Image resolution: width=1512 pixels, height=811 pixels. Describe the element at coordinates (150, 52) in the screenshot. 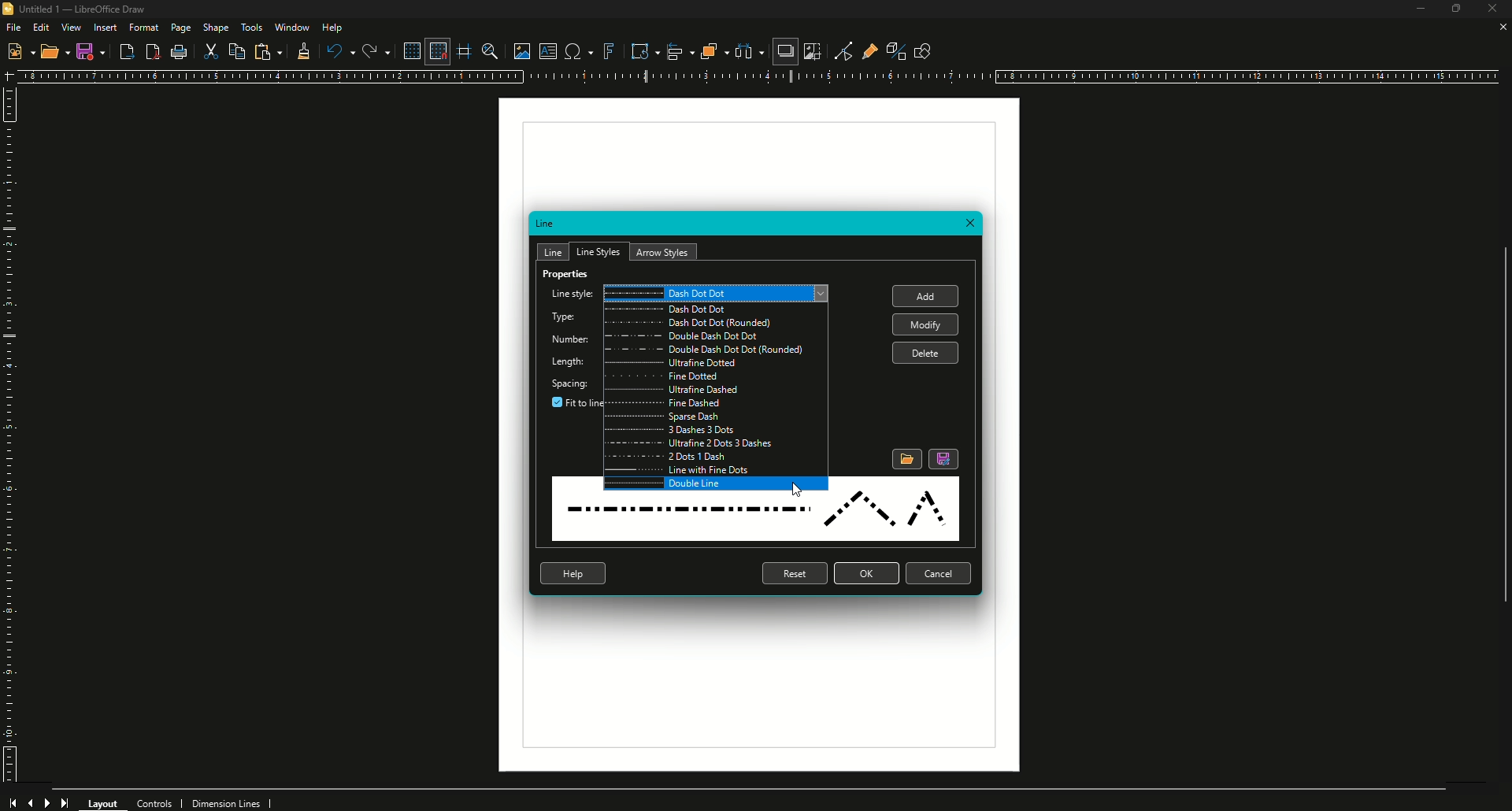

I see `Export to PDF` at that location.